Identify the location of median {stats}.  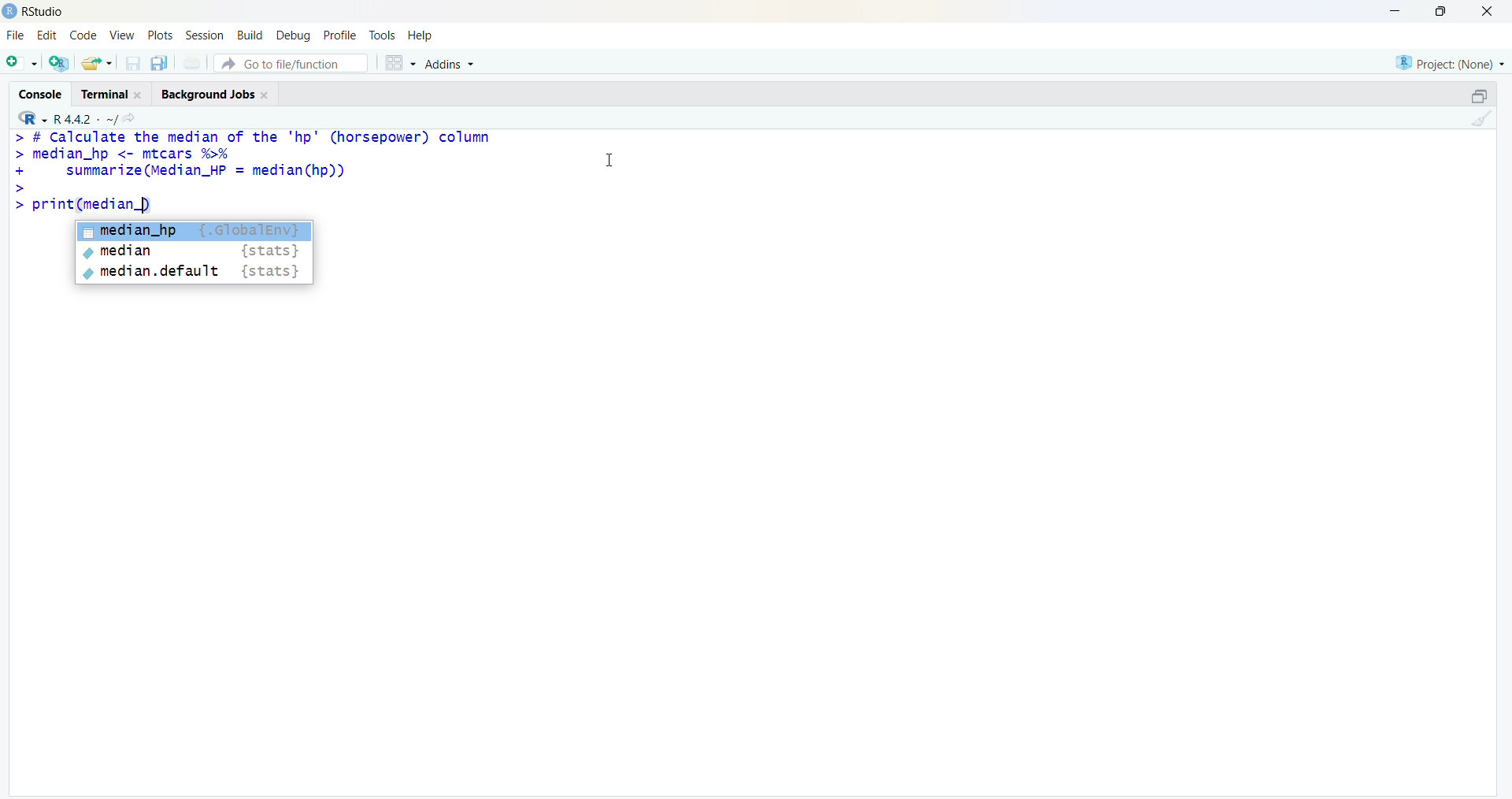
(192, 252).